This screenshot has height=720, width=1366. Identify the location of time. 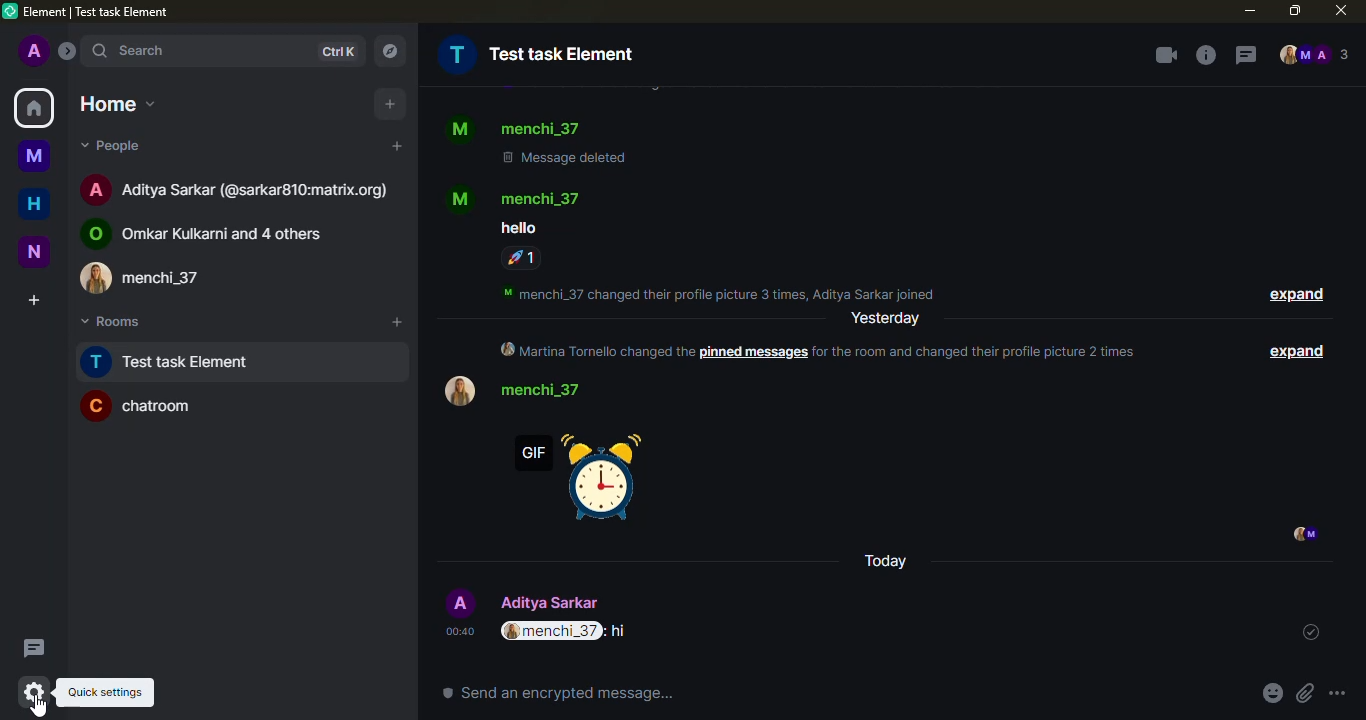
(460, 632).